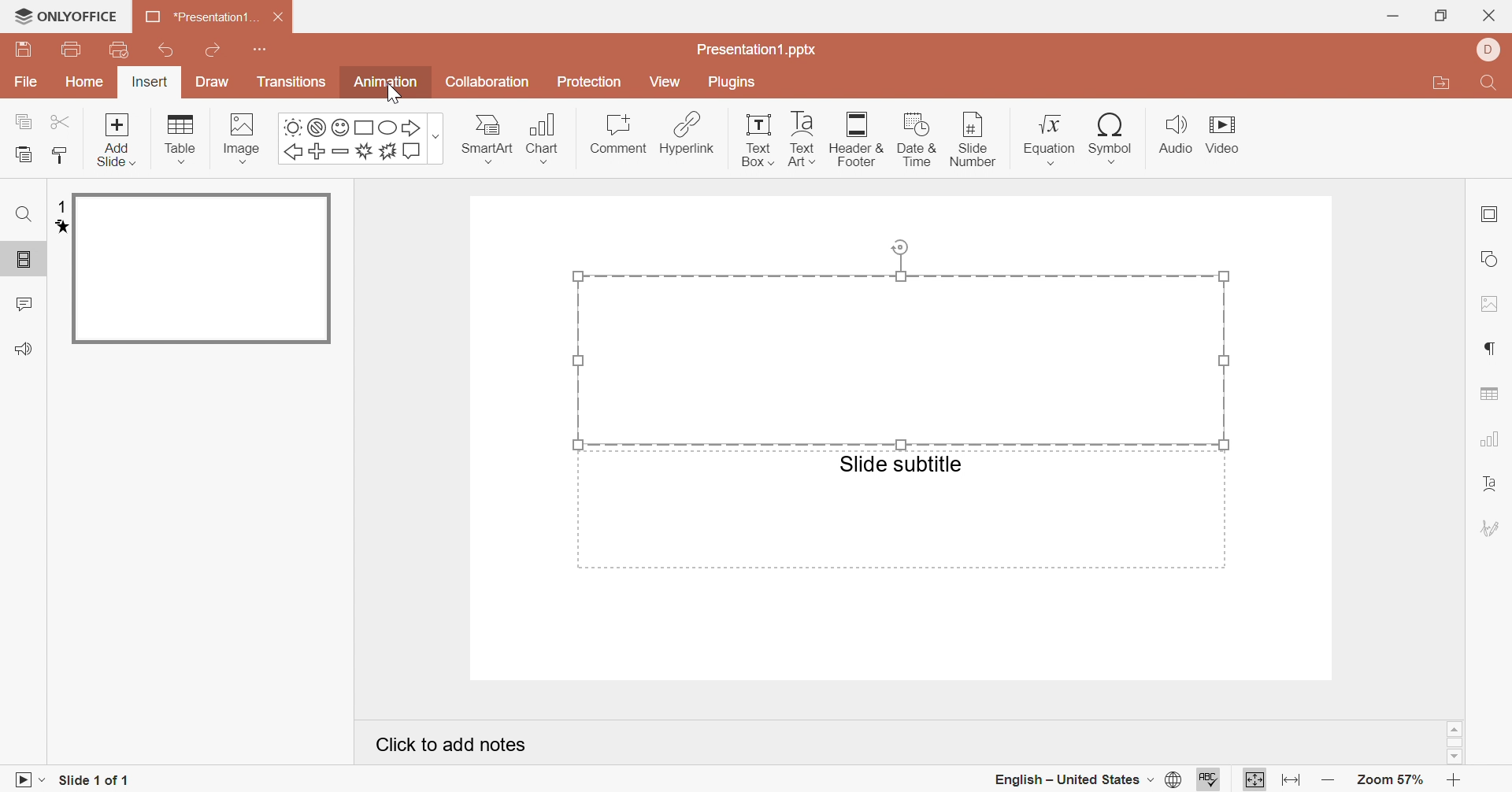 The height and width of the screenshot is (792, 1512). Describe the element at coordinates (166, 50) in the screenshot. I see `undo` at that location.